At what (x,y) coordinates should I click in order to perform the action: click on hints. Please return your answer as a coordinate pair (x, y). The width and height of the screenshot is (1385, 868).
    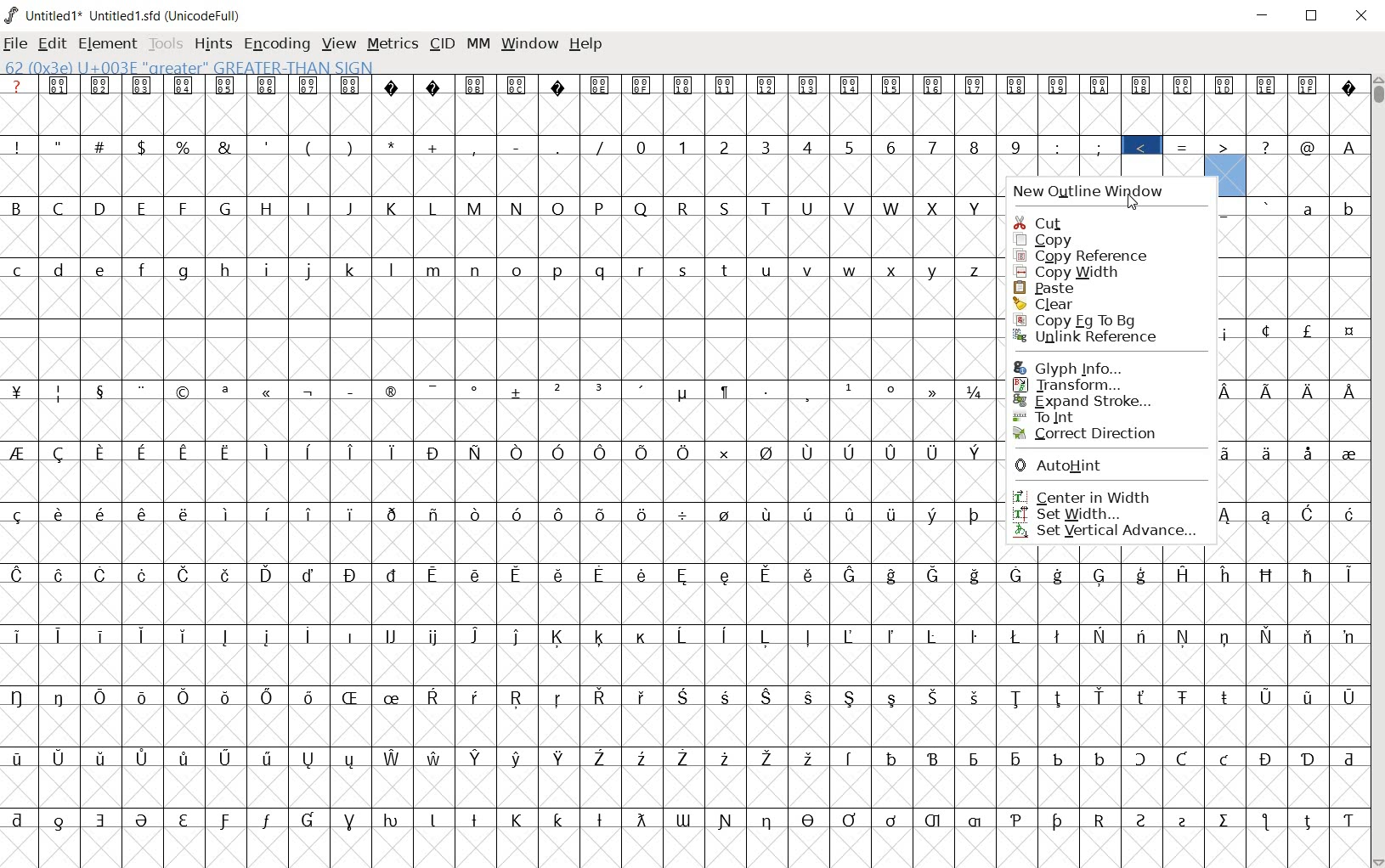
    Looking at the image, I should click on (213, 44).